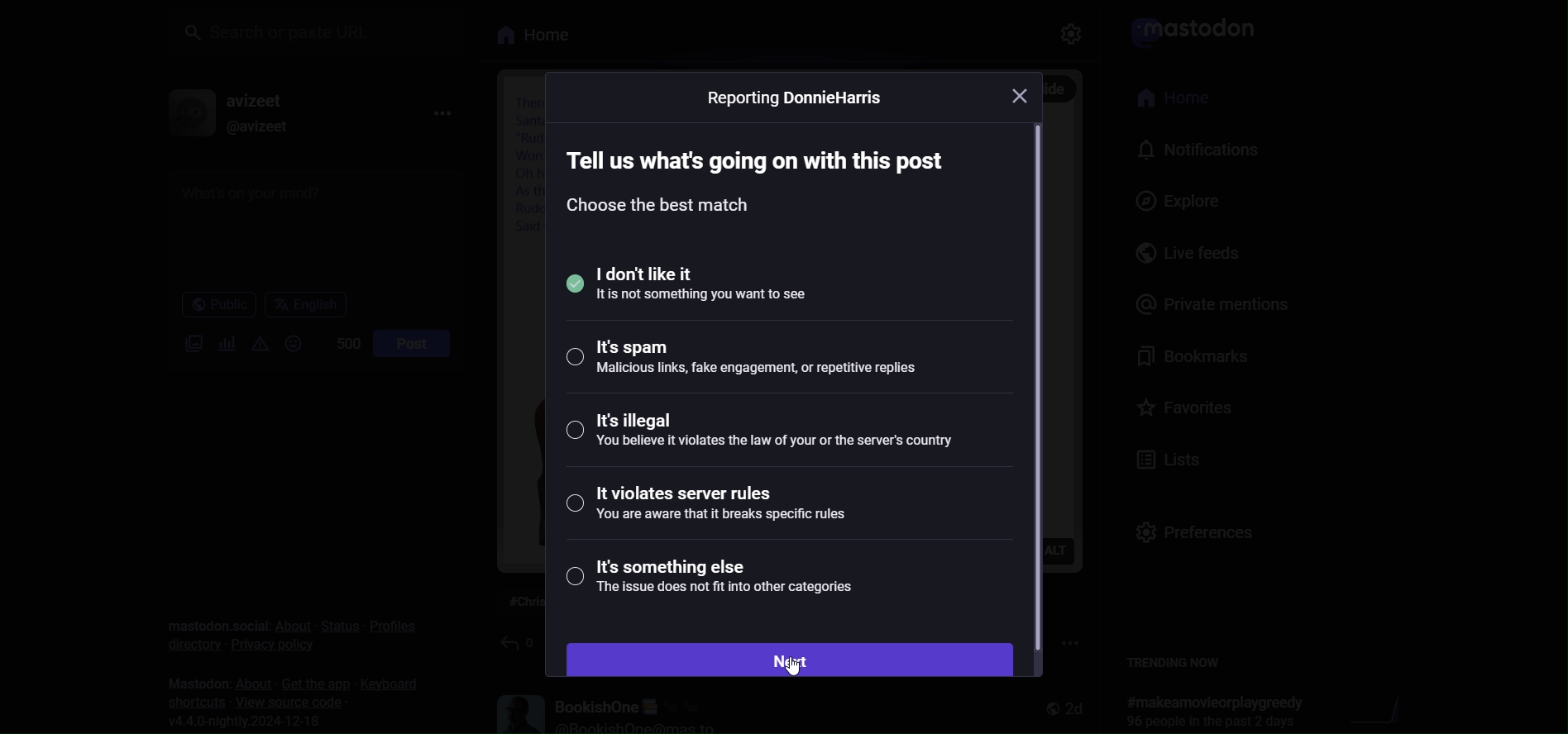 The height and width of the screenshot is (734, 1568). What do you see at coordinates (336, 626) in the screenshot?
I see `status` at bounding box center [336, 626].